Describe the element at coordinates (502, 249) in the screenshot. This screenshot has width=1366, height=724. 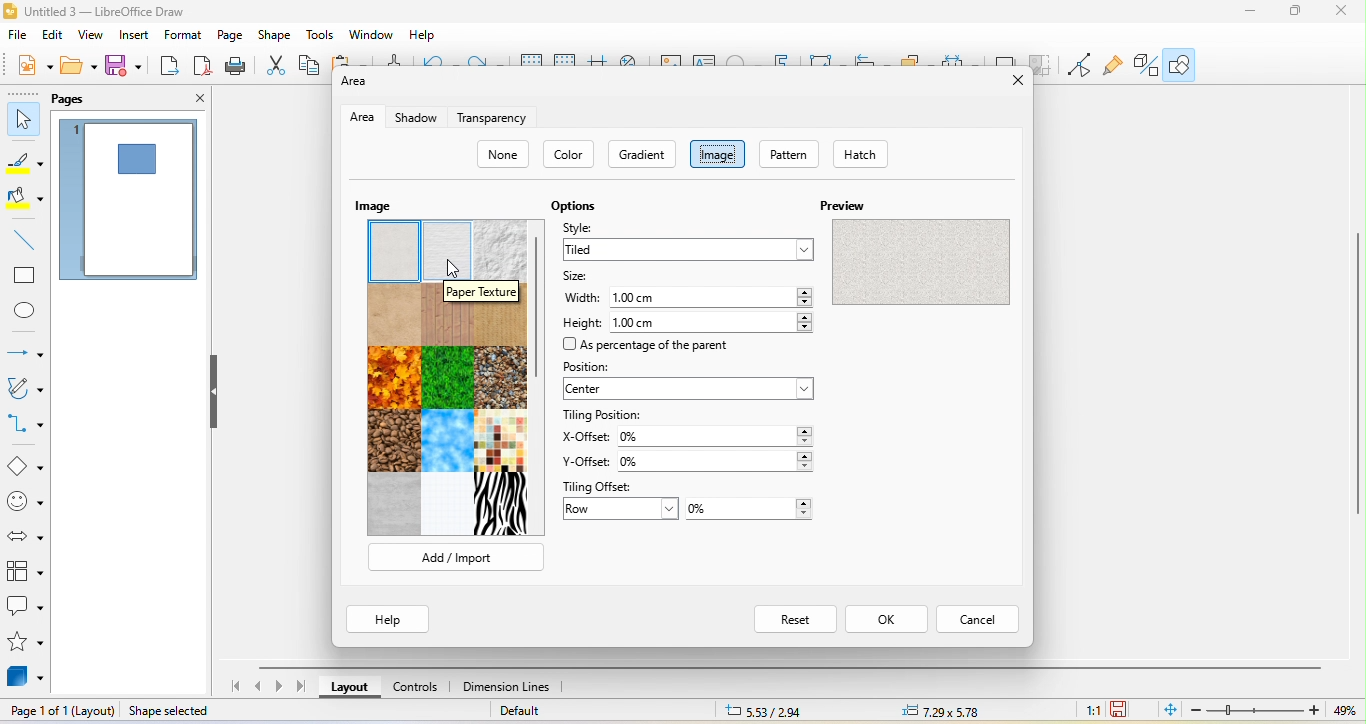
I see `texture 3` at that location.